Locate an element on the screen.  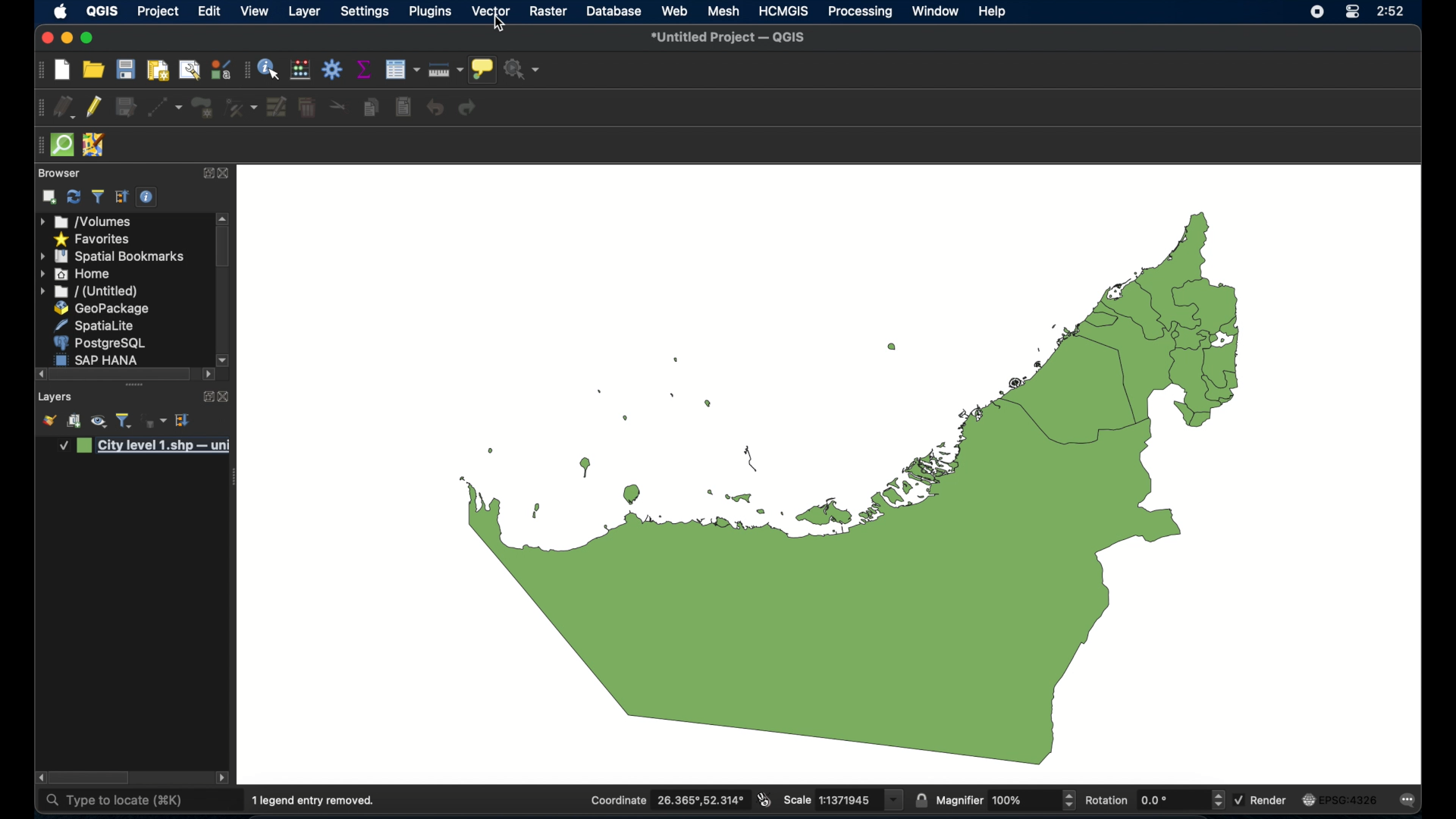
scroll right arrow is located at coordinates (224, 359).